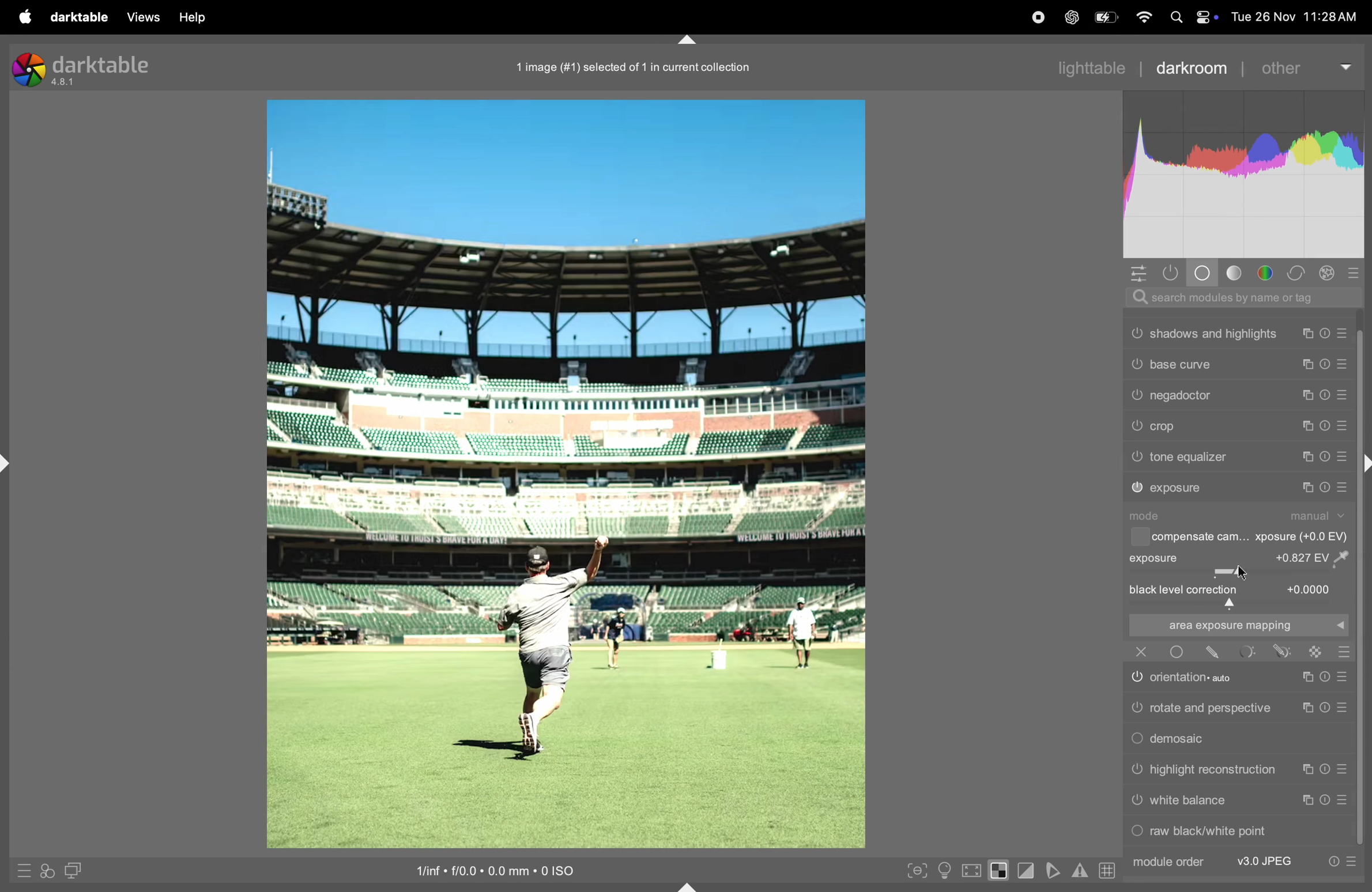 This screenshot has width=1372, height=892. Describe the element at coordinates (1238, 297) in the screenshot. I see `searchbar` at that location.